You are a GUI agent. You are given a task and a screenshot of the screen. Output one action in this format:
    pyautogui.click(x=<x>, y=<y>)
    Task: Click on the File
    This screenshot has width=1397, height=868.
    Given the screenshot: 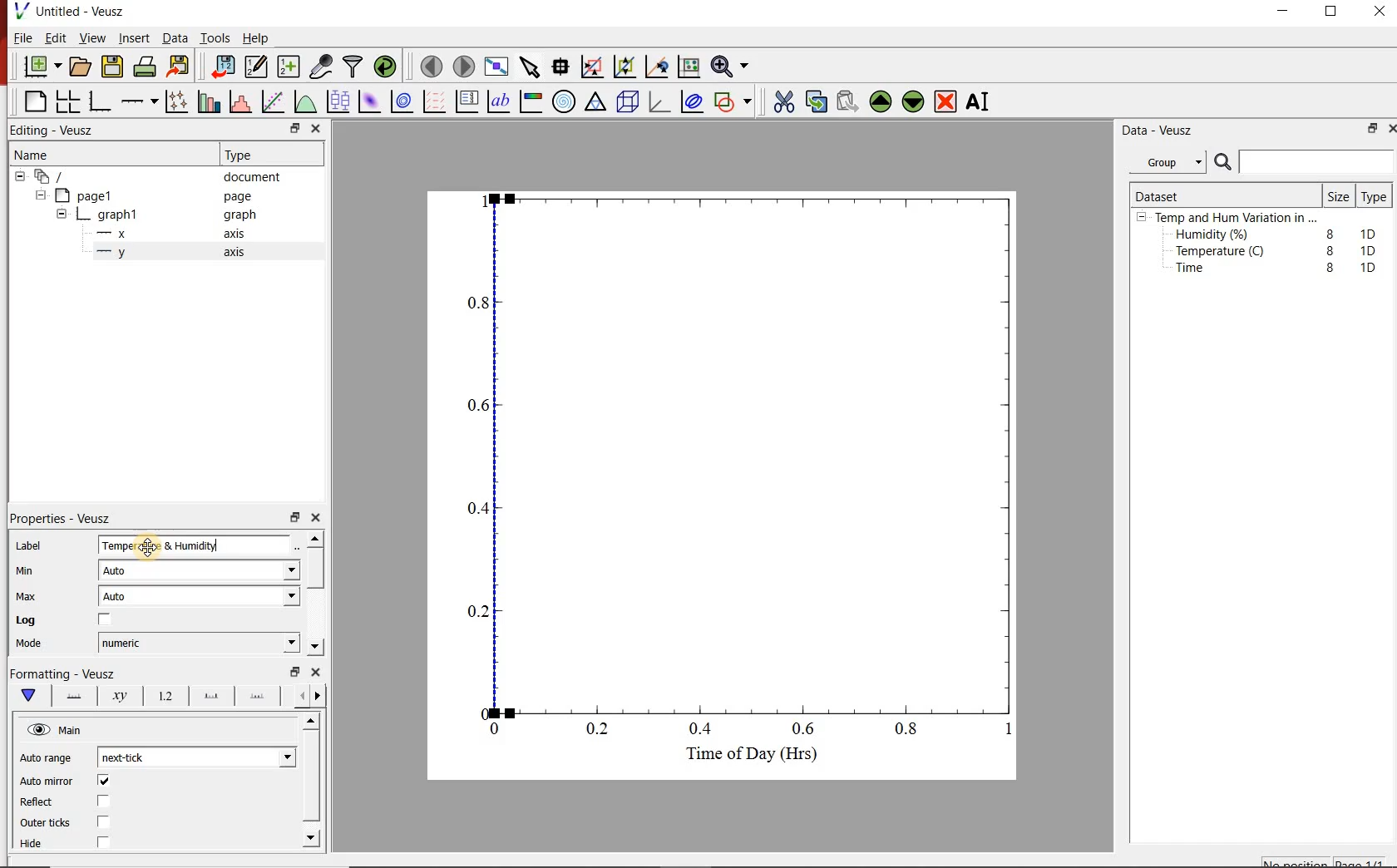 What is the action you would take?
    pyautogui.click(x=19, y=37)
    